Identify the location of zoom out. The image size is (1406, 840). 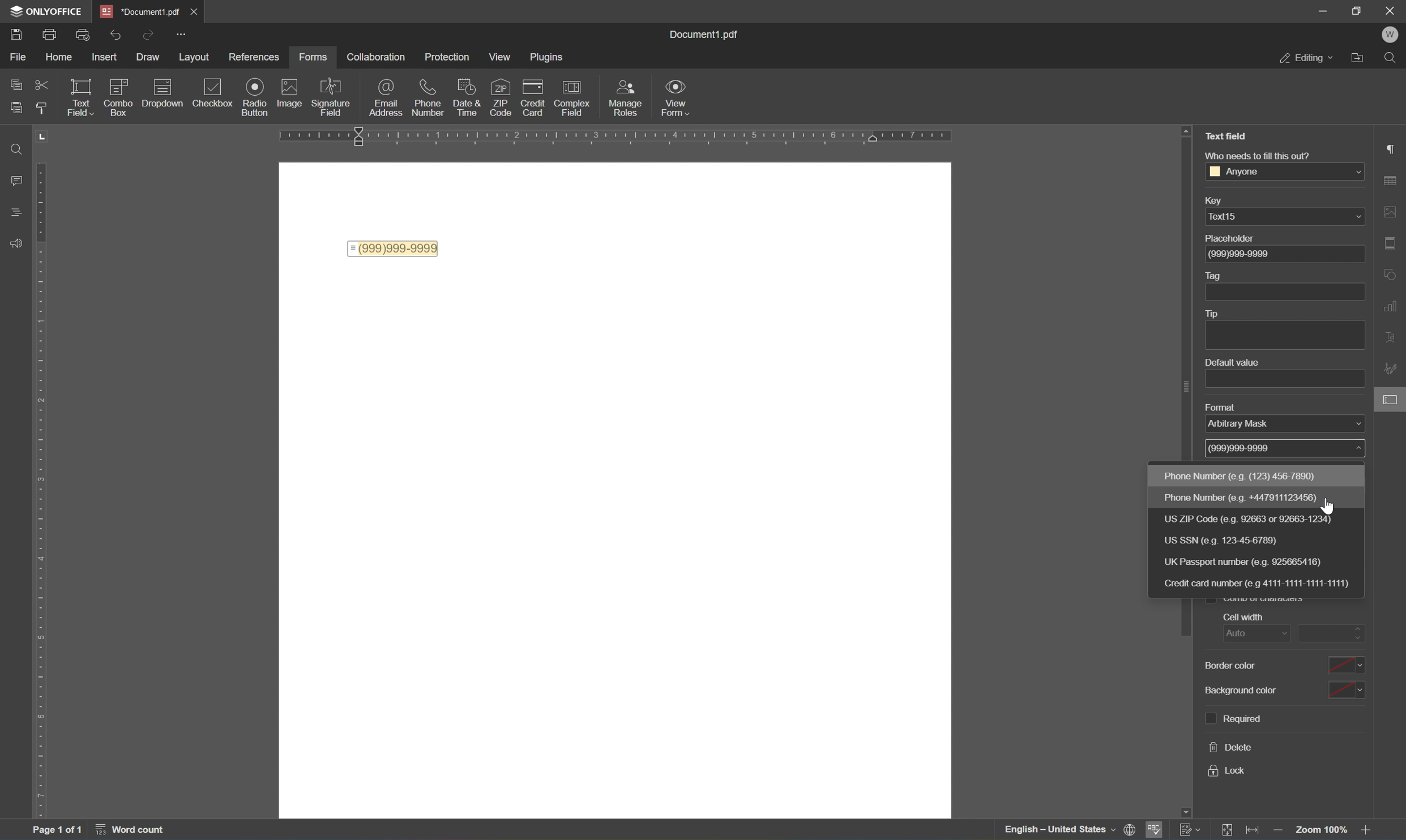
(1280, 832).